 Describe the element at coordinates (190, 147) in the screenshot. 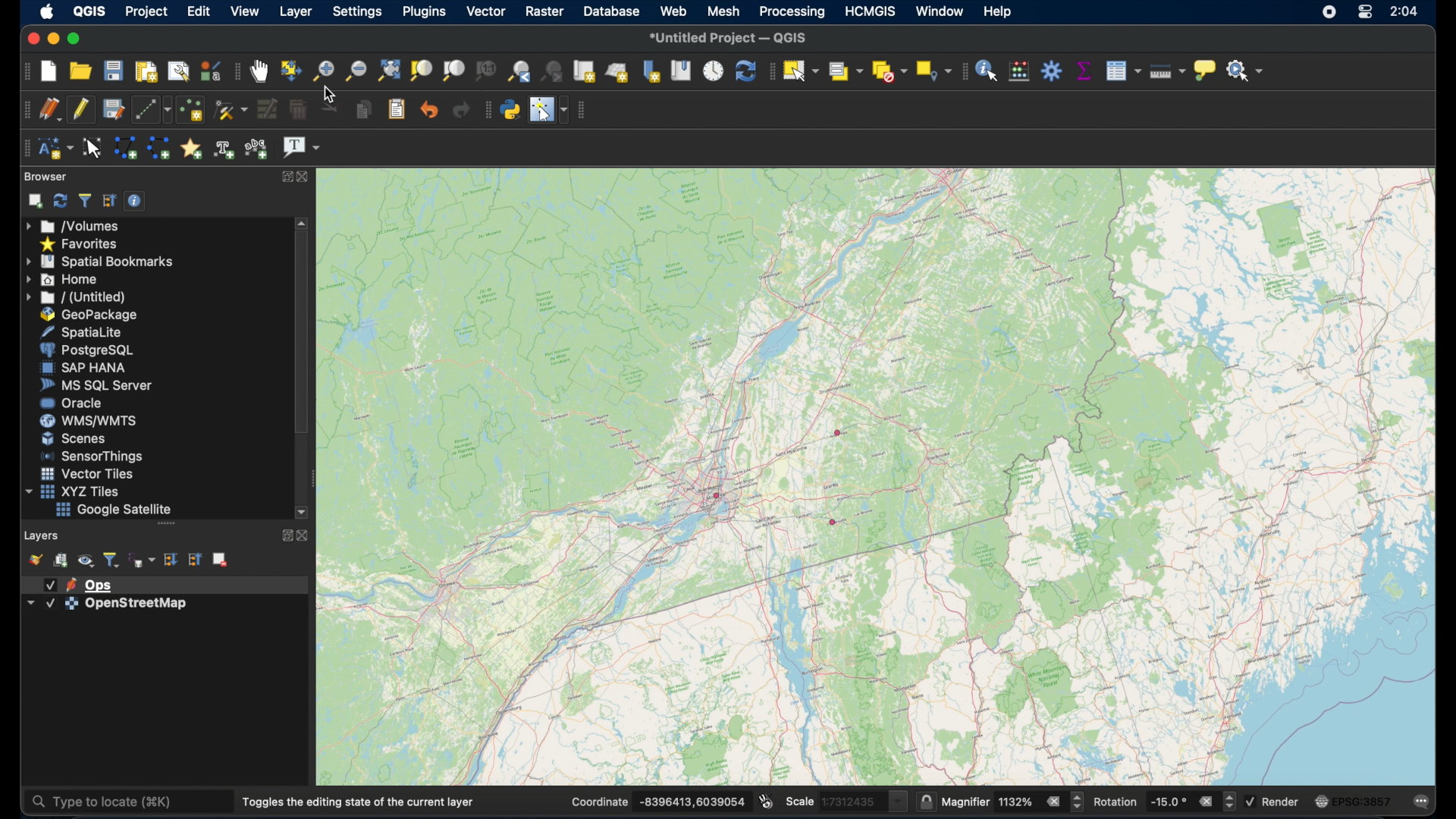

I see `create marker annotation` at that location.